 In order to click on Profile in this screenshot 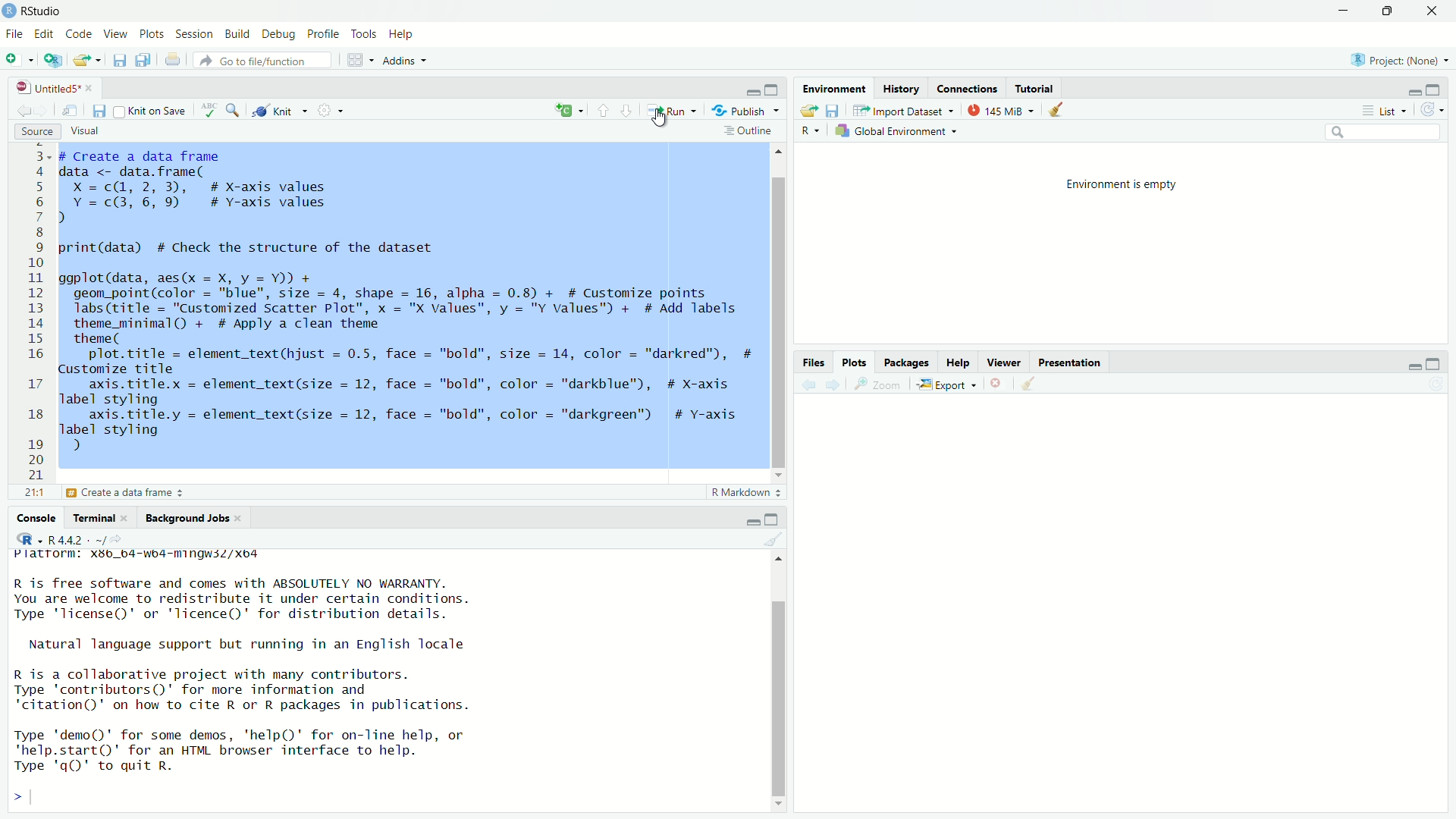, I will do `click(325, 35)`.